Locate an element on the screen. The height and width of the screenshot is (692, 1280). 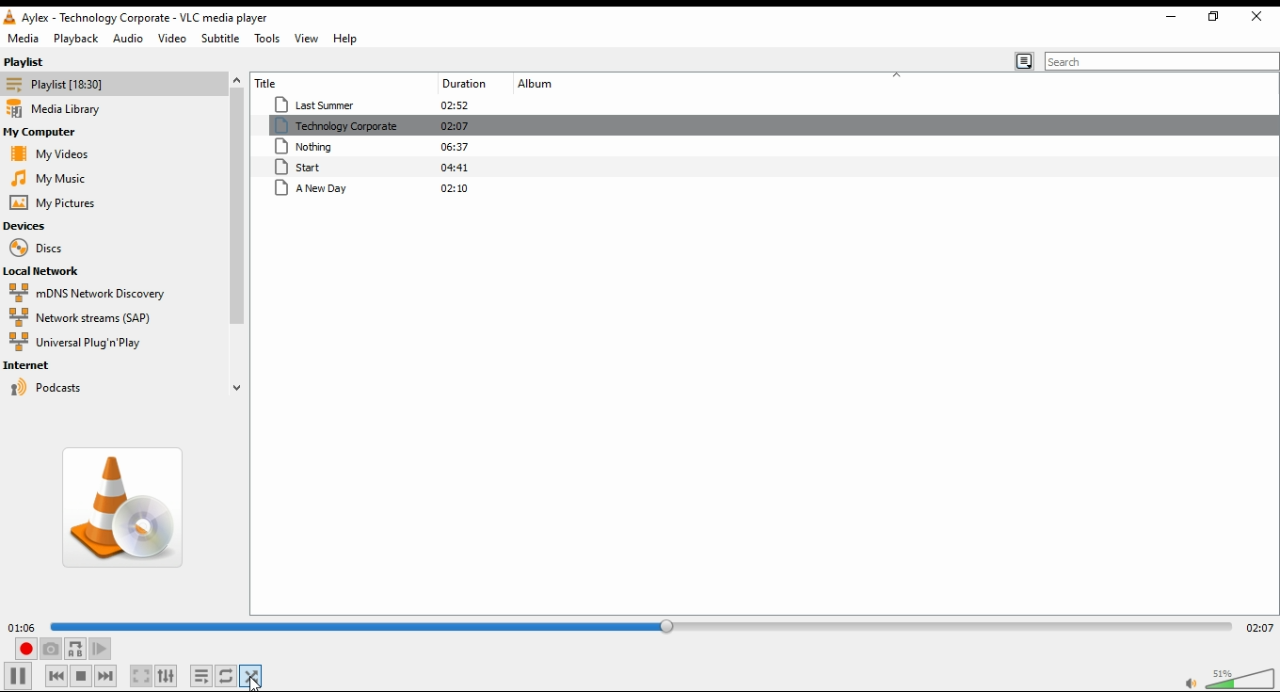
toggle video in fullscreen is located at coordinates (139, 674).